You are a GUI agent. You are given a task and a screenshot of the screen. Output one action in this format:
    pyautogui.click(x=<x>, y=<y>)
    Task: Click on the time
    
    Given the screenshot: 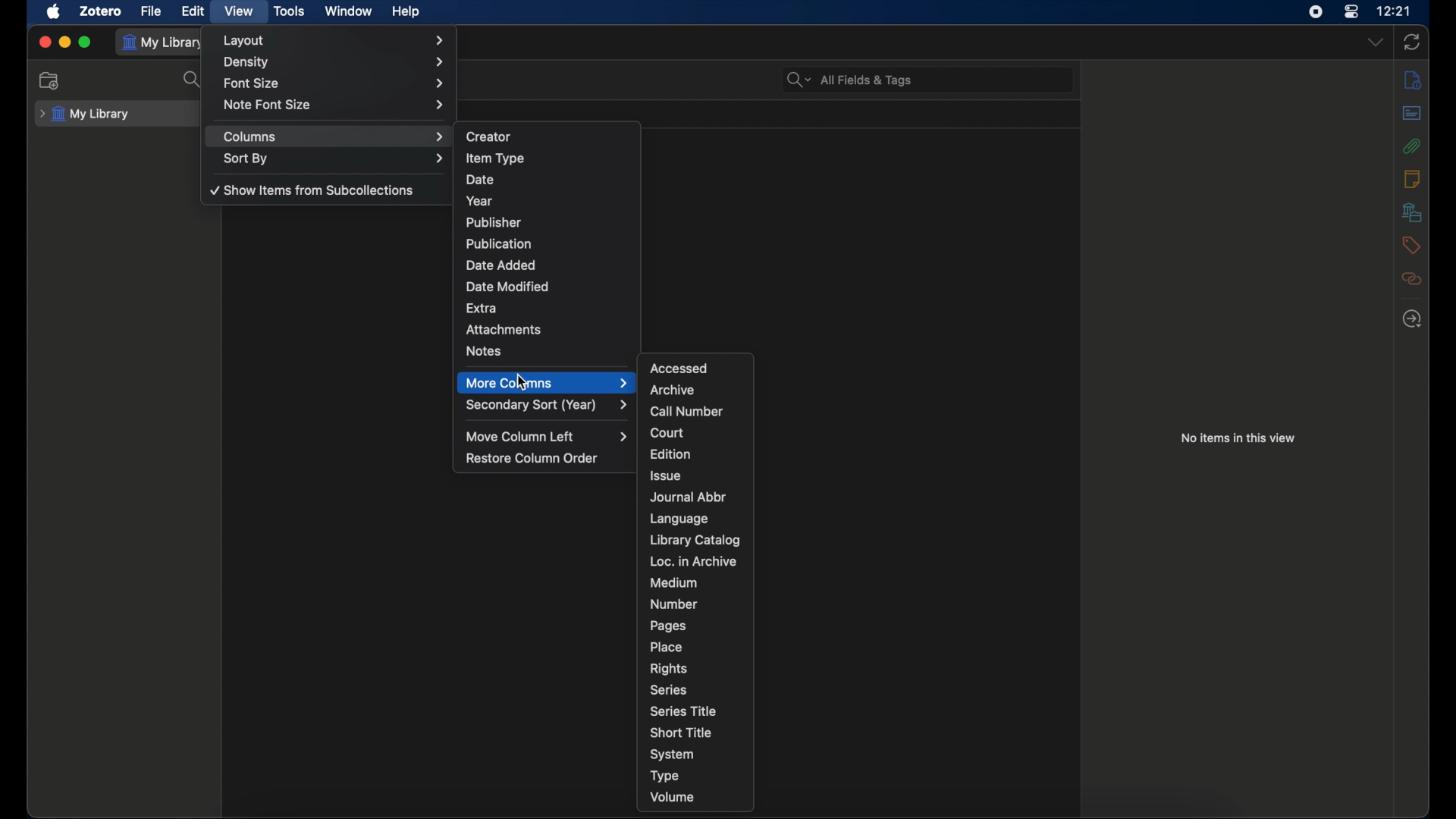 What is the action you would take?
    pyautogui.click(x=1394, y=10)
    